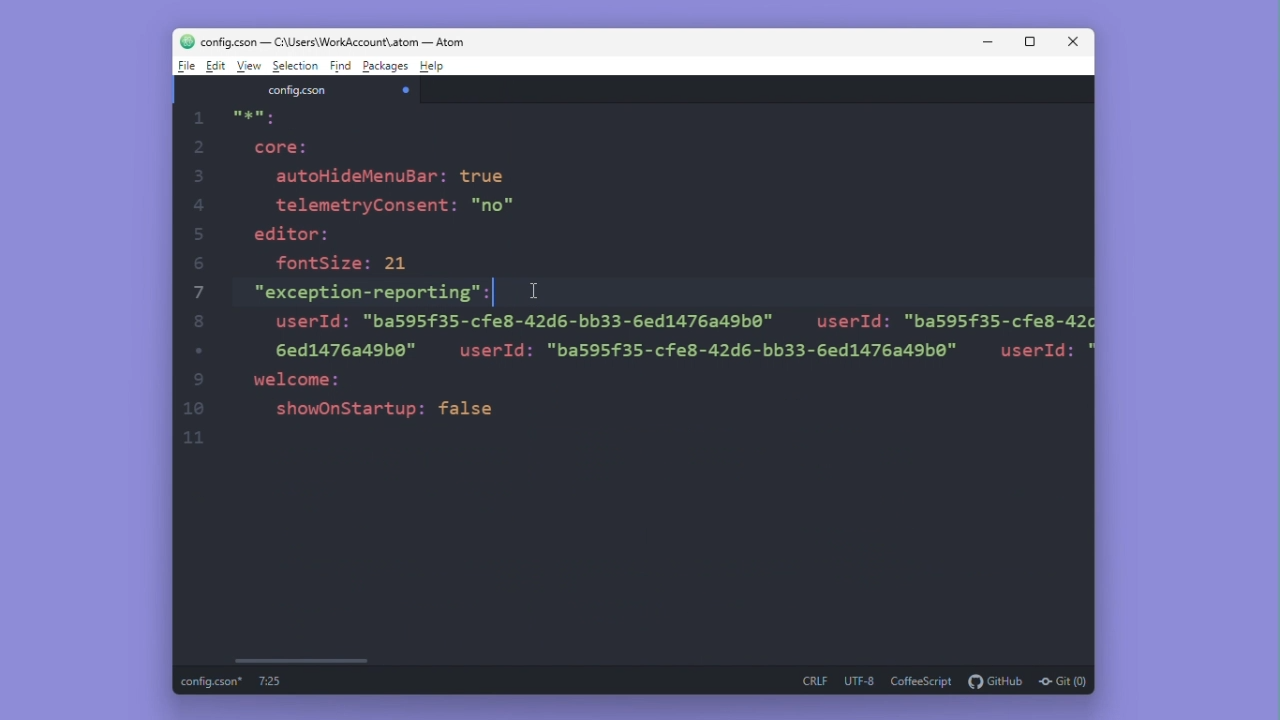 The image size is (1280, 720). Describe the element at coordinates (199, 280) in the screenshot. I see `1 2 3 4 5 6 7 8 9 10 11` at that location.